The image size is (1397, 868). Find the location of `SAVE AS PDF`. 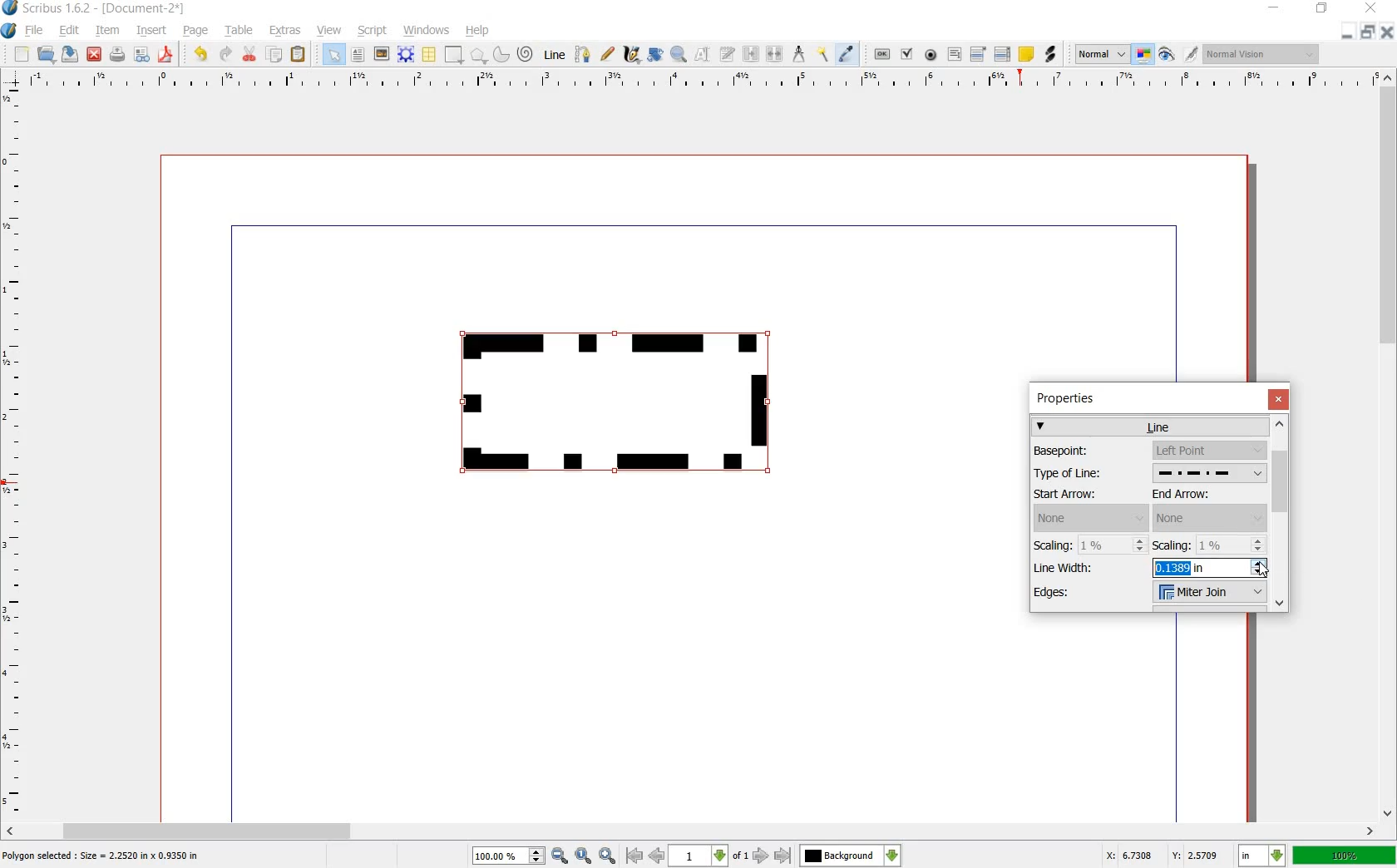

SAVE AS PDF is located at coordinates (168, 55).